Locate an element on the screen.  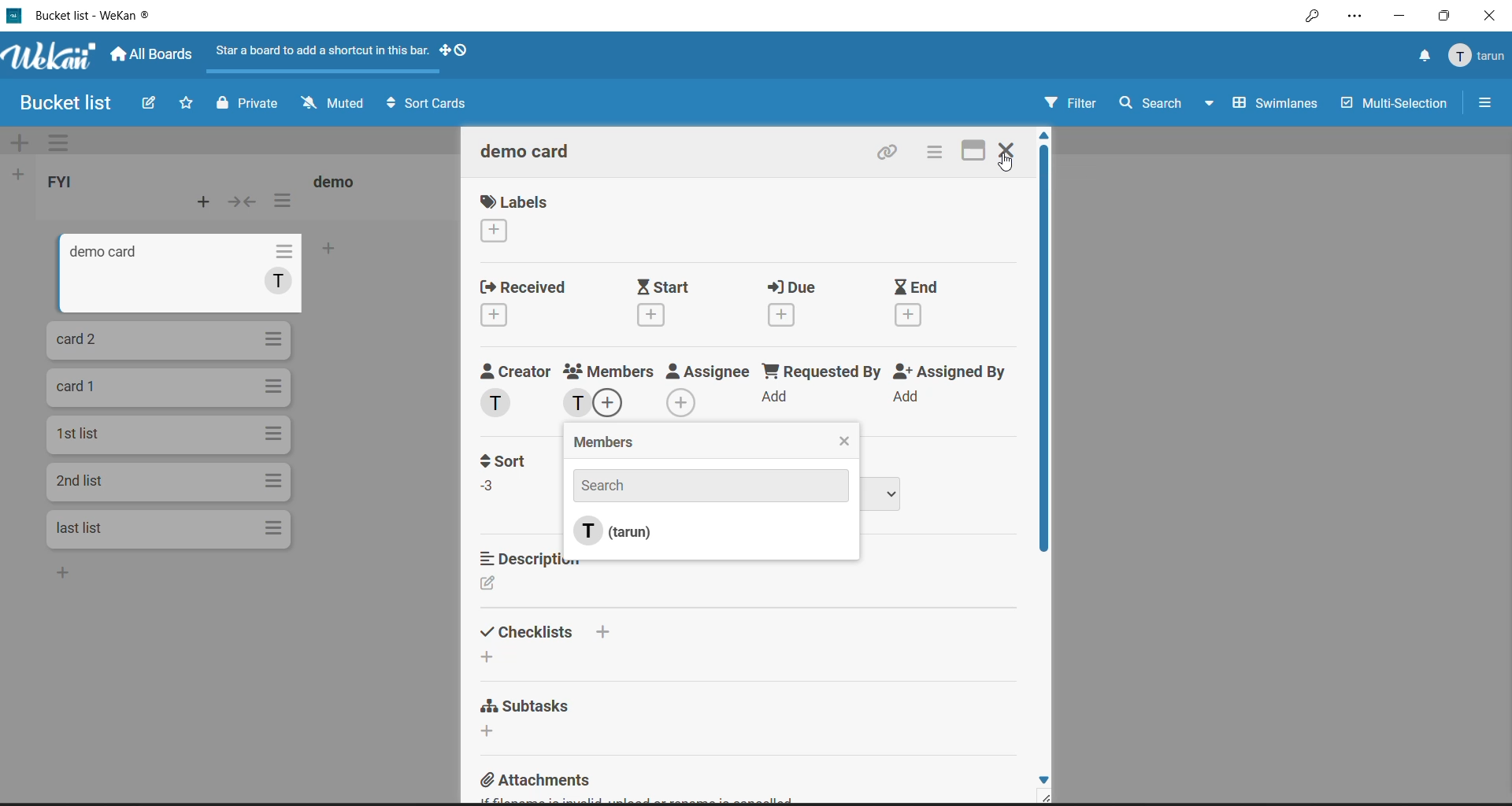
received is located at coordinates (521, 288).